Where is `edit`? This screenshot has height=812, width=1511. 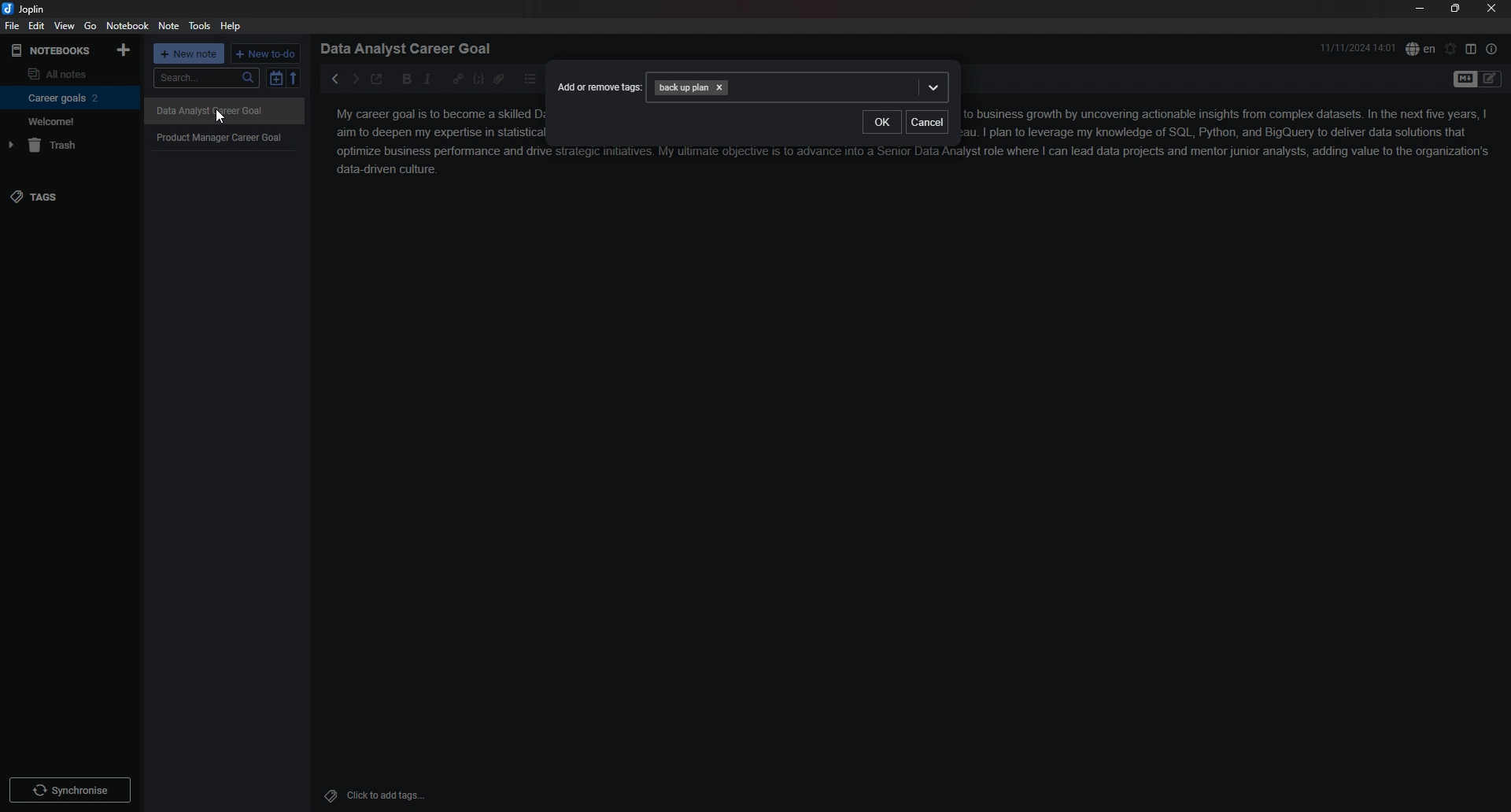 edit is located at coordinates (38, 25).